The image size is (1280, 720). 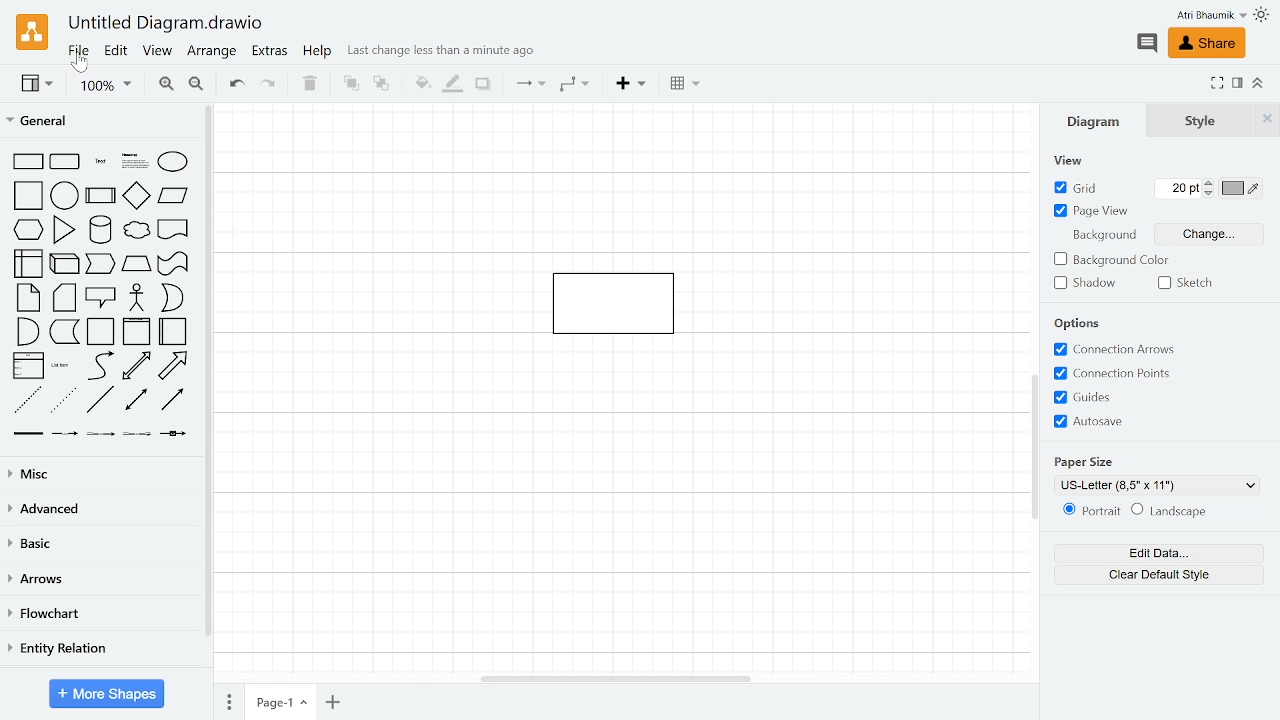 I want to click on TO front, so click(x=352, y=85).